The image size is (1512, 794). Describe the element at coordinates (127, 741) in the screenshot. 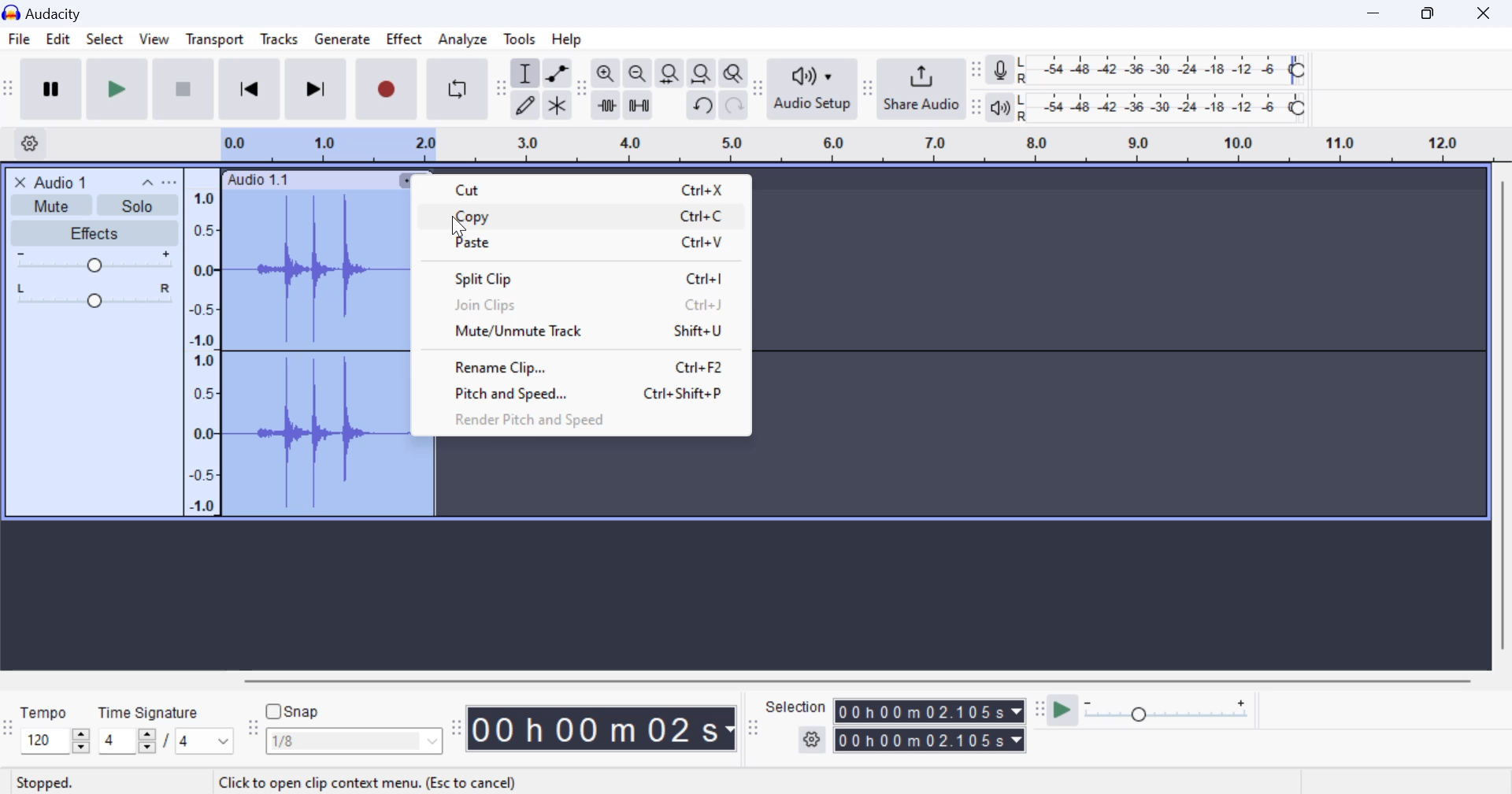

I see `increase or decrease time signature` at that location.